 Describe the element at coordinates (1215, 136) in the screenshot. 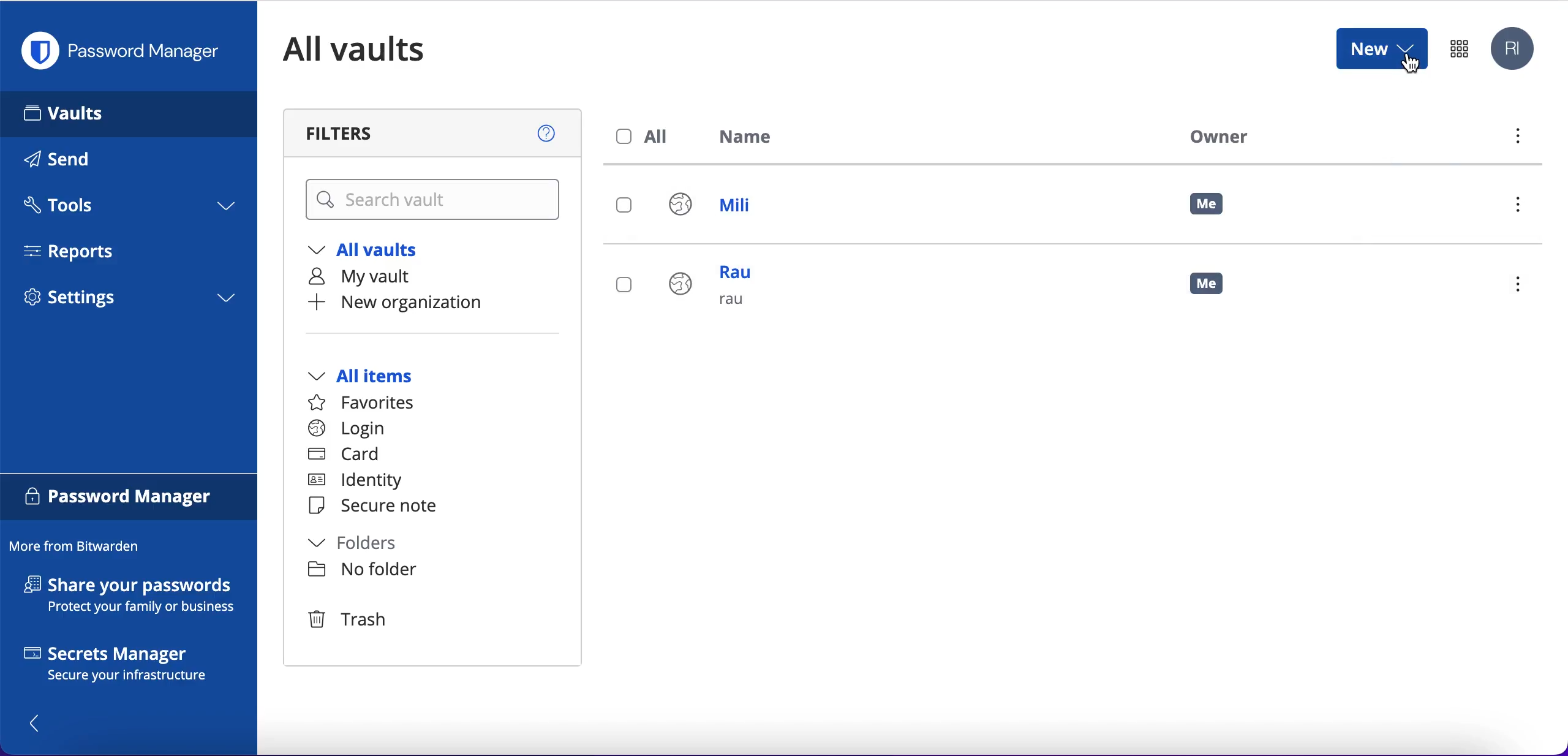

I see `owner` at that location.